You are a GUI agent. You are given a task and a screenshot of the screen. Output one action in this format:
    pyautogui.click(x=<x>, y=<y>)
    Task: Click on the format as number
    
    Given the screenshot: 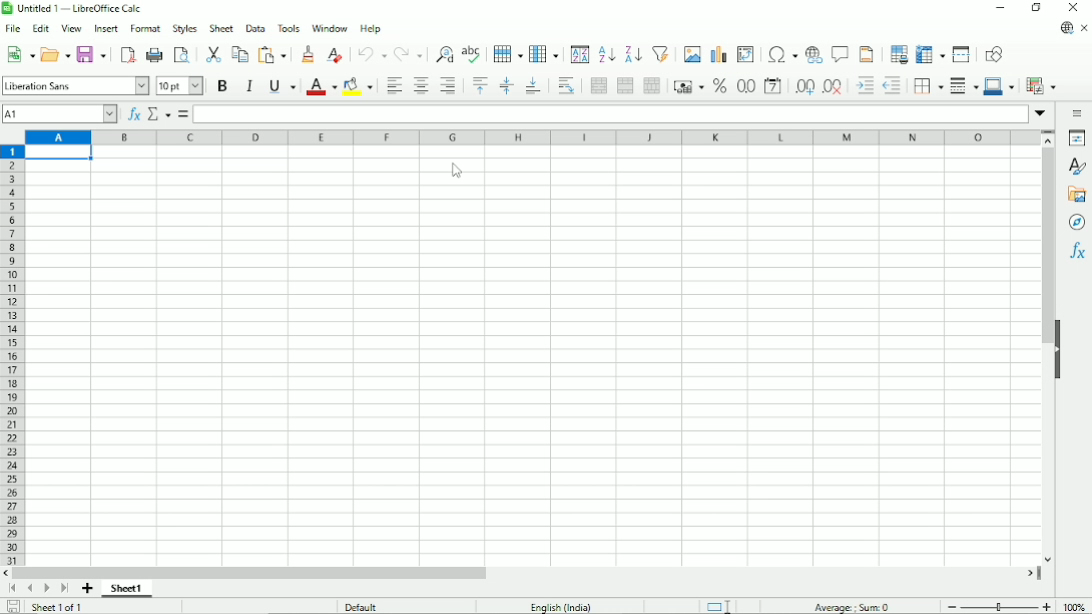 What is the action you would take?
    pyautogui.click(x=745, y=86)
    